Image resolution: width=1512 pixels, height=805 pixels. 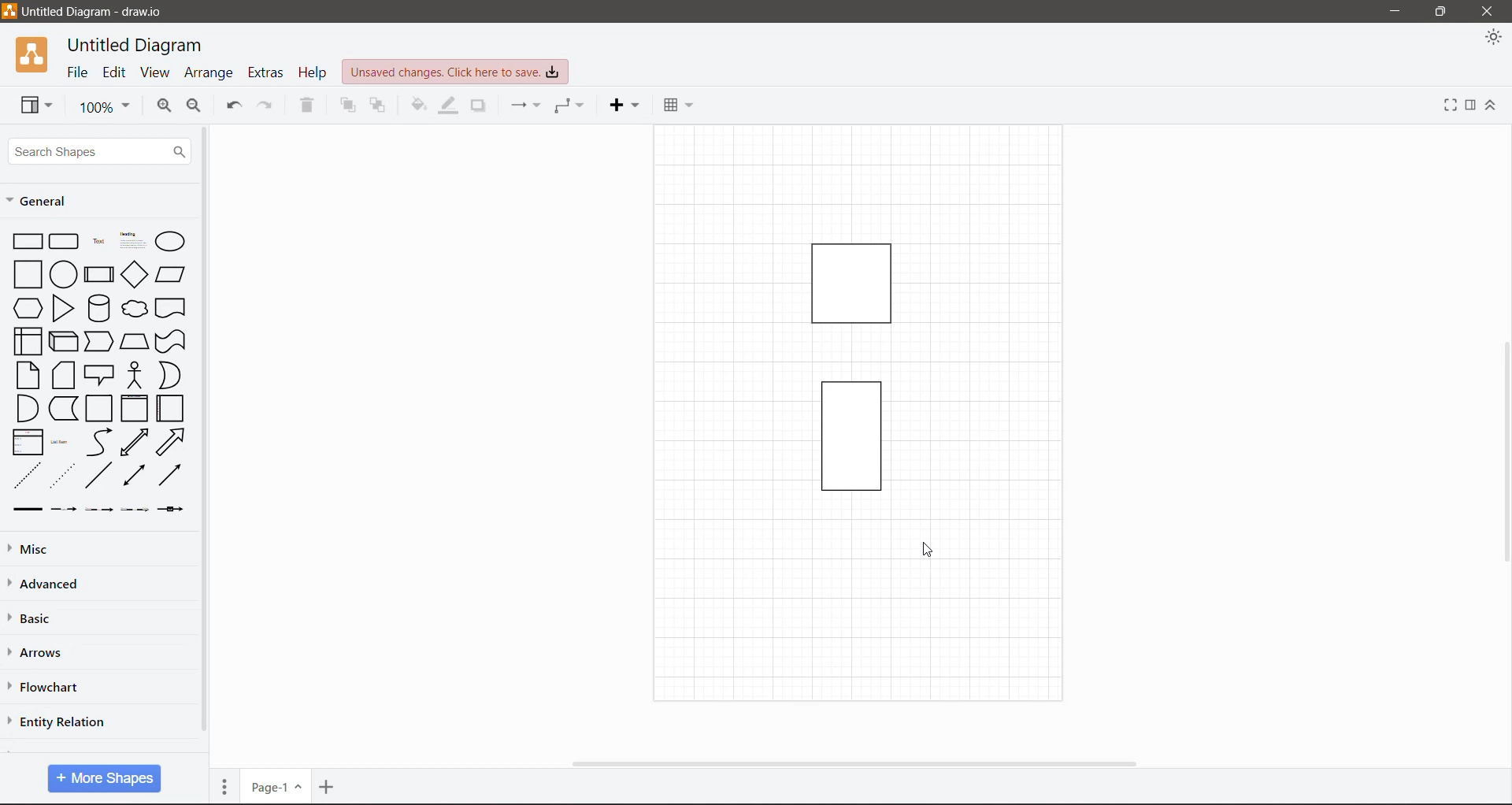 What do you see at coordinates (48, 203) in the screenshot?
I see `General` at bounding box center [48, 203].